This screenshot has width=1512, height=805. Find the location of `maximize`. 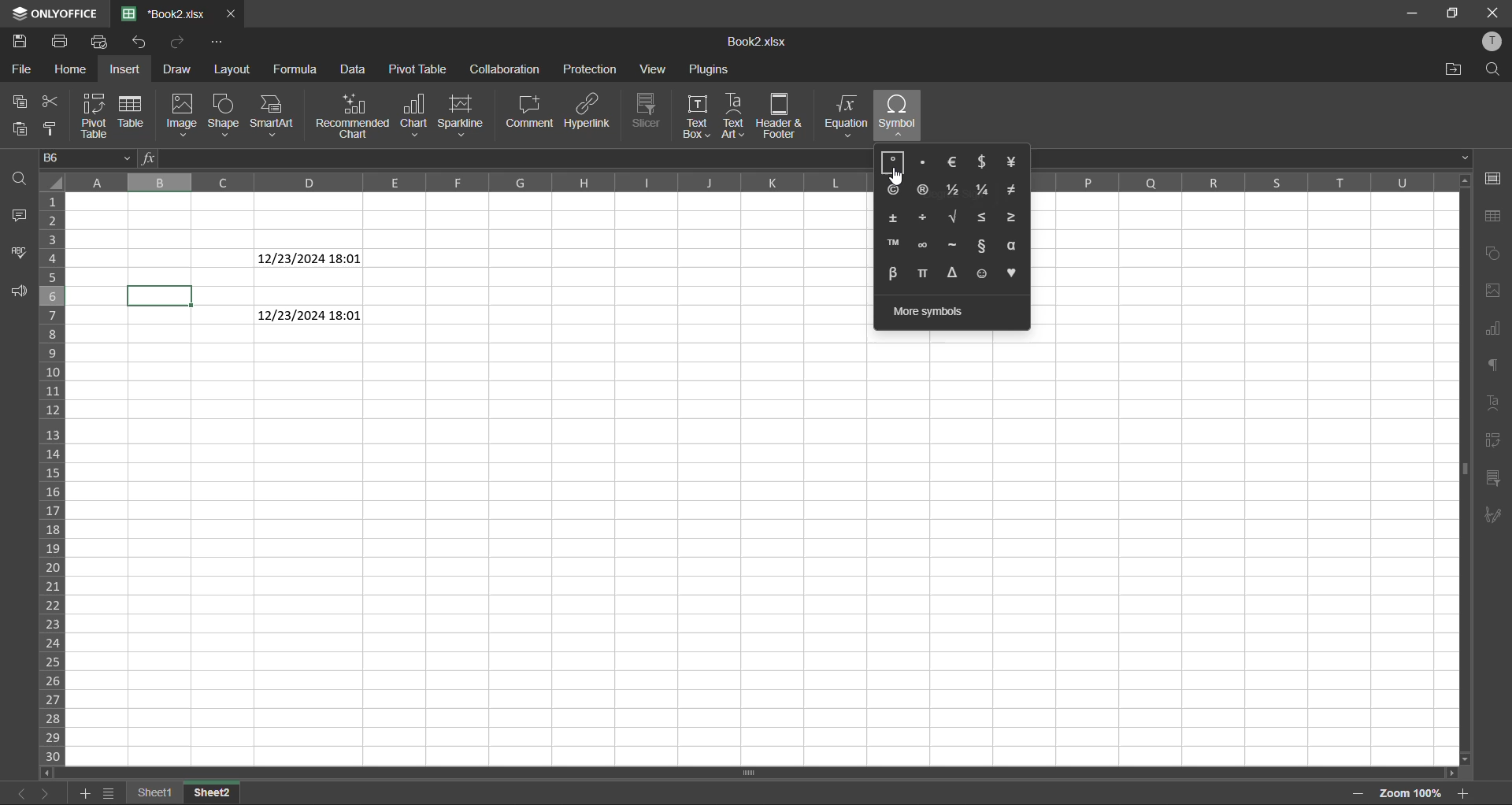

maximize is located at coordinates (1452, 13).